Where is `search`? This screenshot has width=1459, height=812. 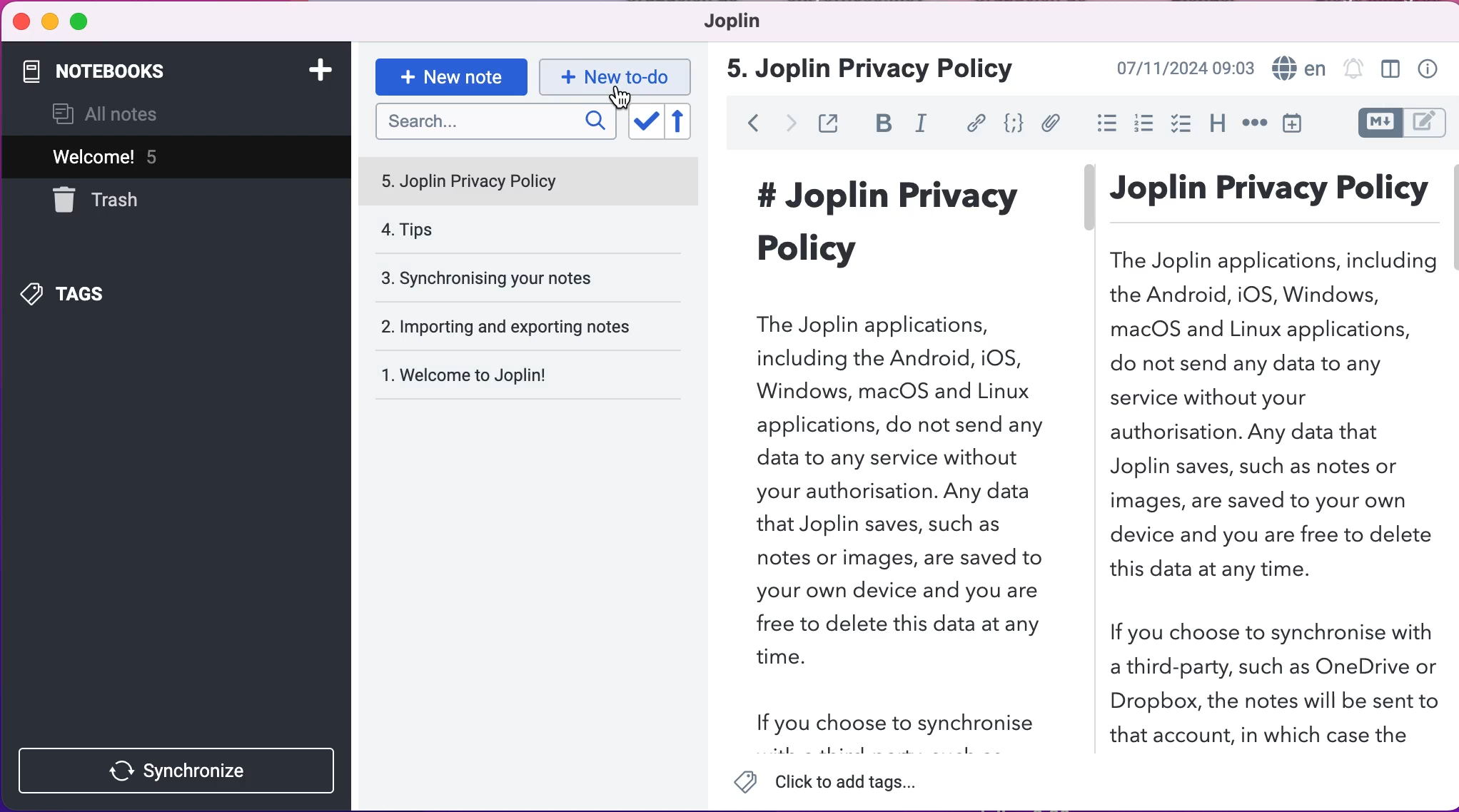
search is located at coordinates (494, 123).